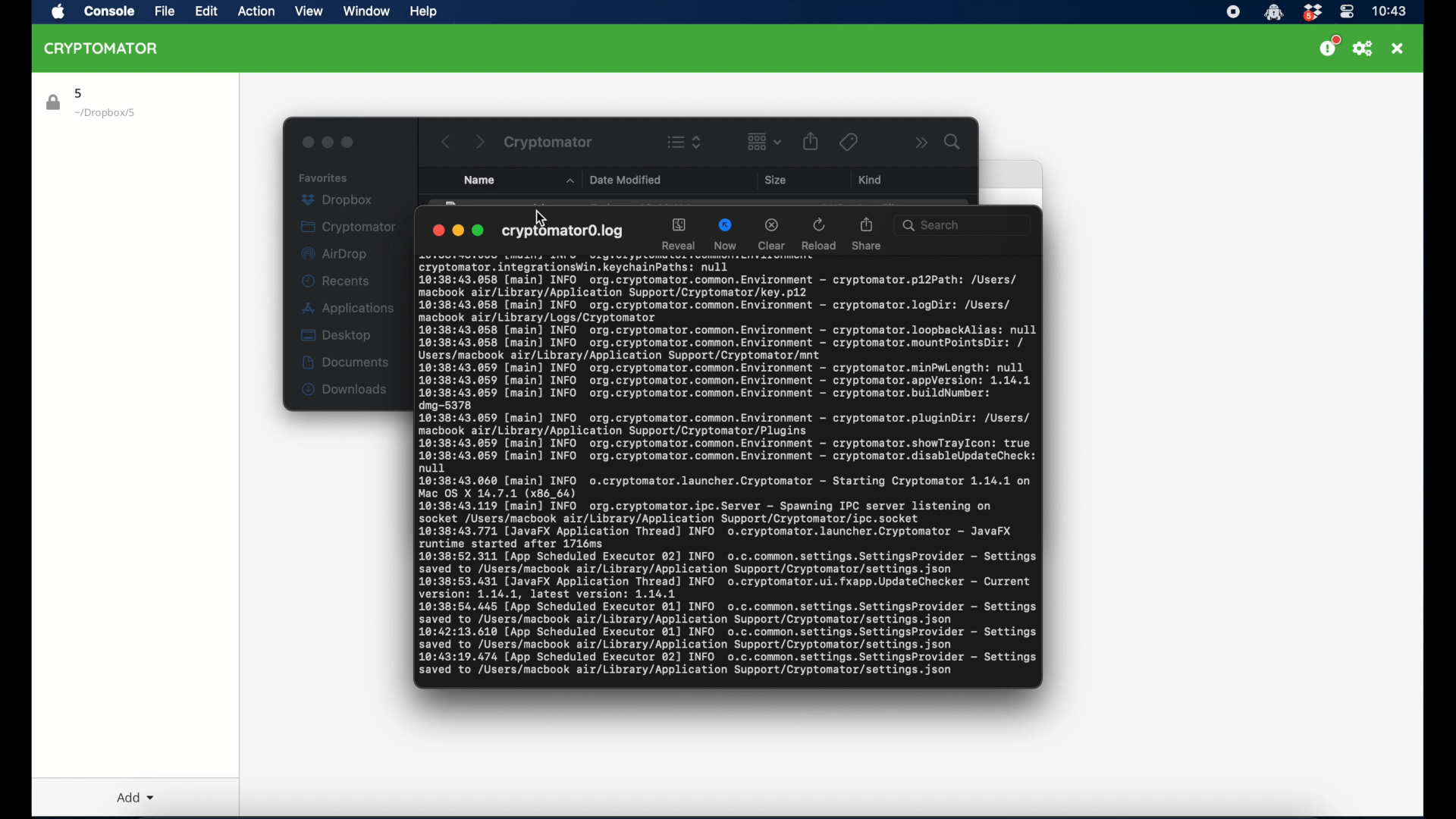 This screenshot has width=1456, height=819. I want to click on now, so click(724, 224).